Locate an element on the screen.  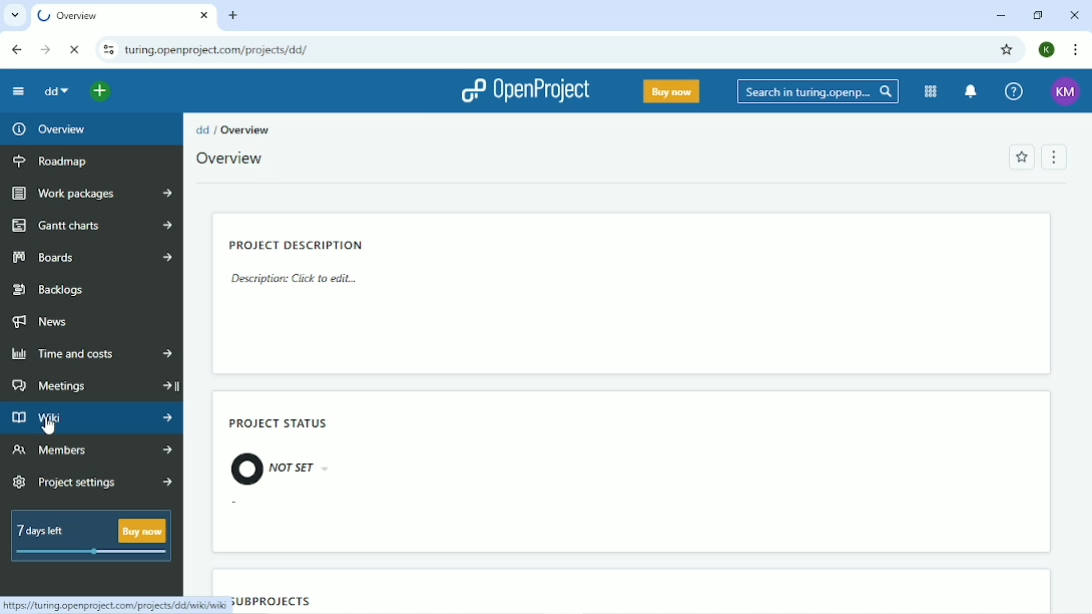
Menu is located at coordinates (1057, 156).